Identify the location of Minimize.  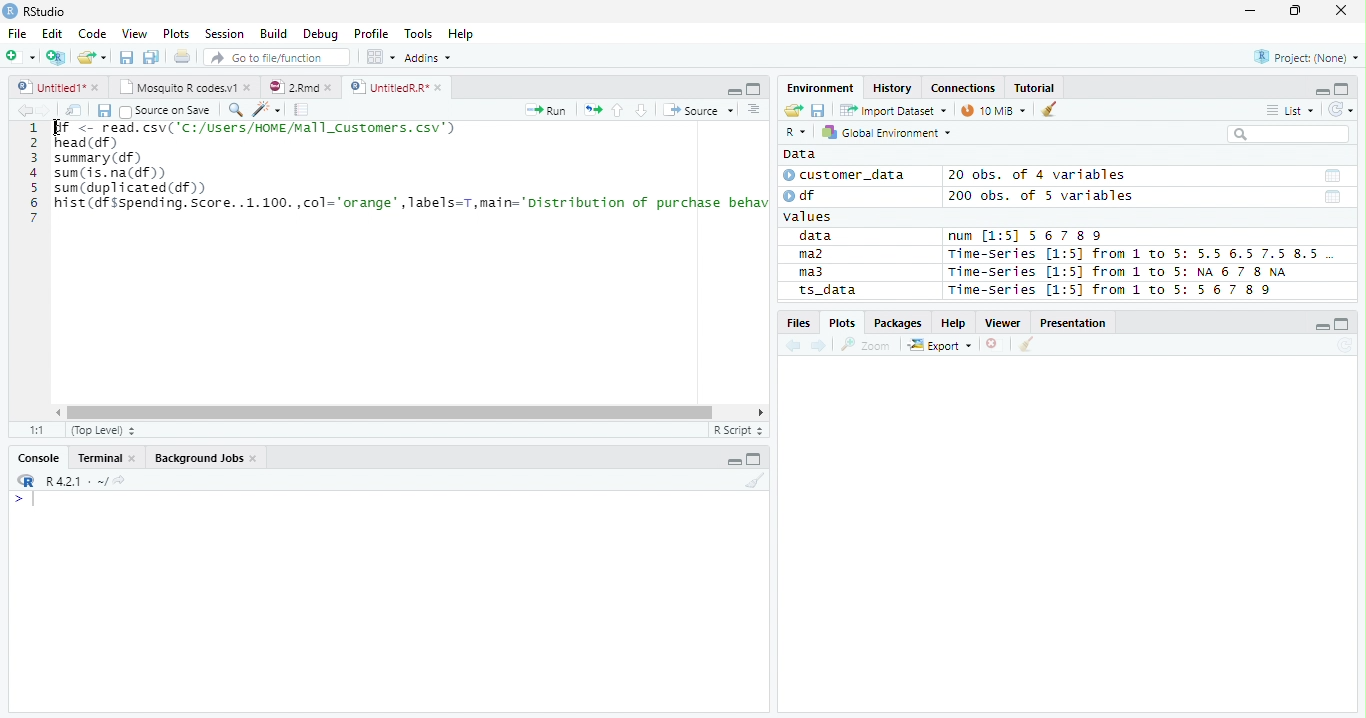
(732, 90).